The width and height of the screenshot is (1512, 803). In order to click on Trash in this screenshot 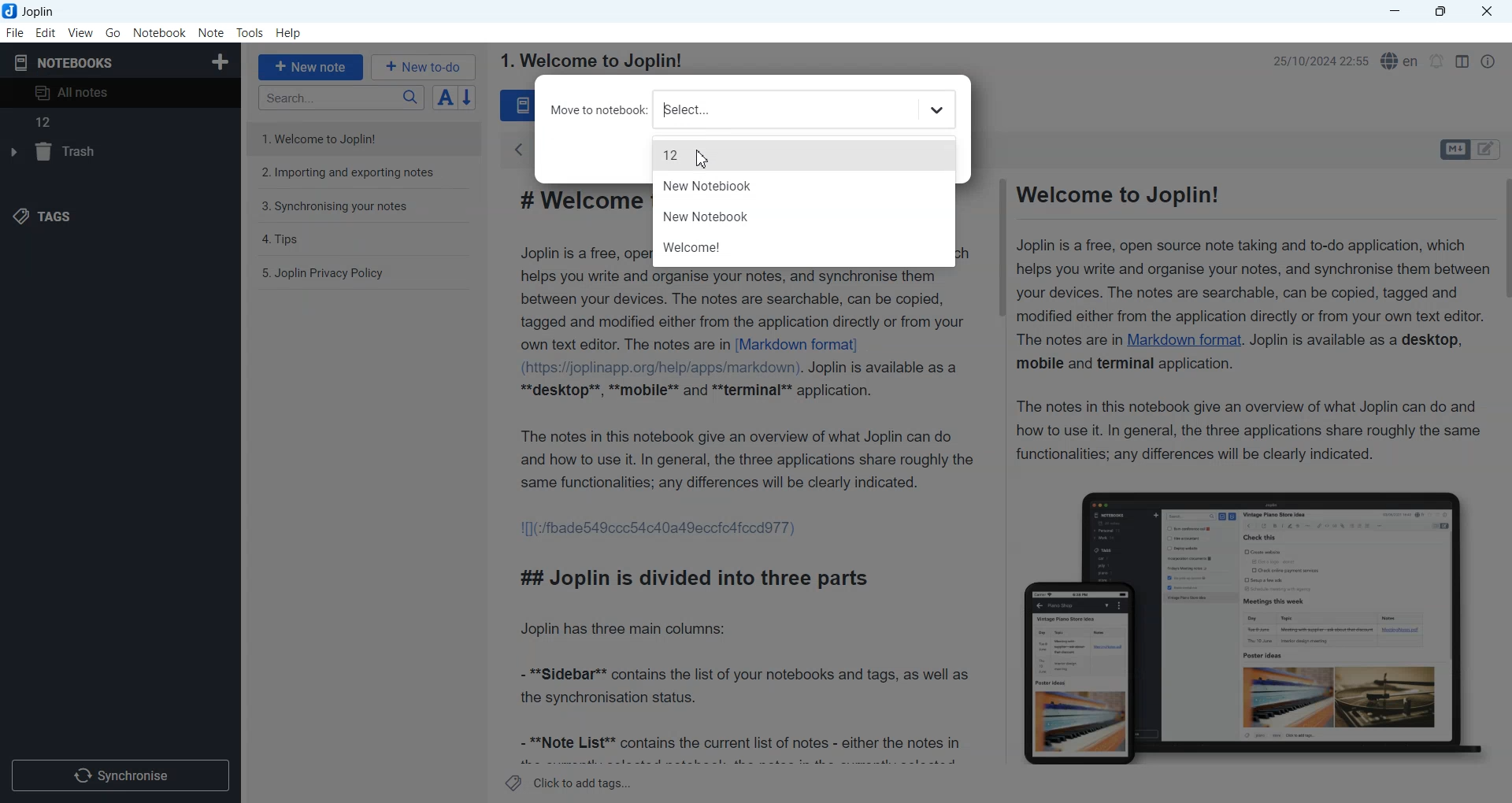, I will do `click(122, 156)`.